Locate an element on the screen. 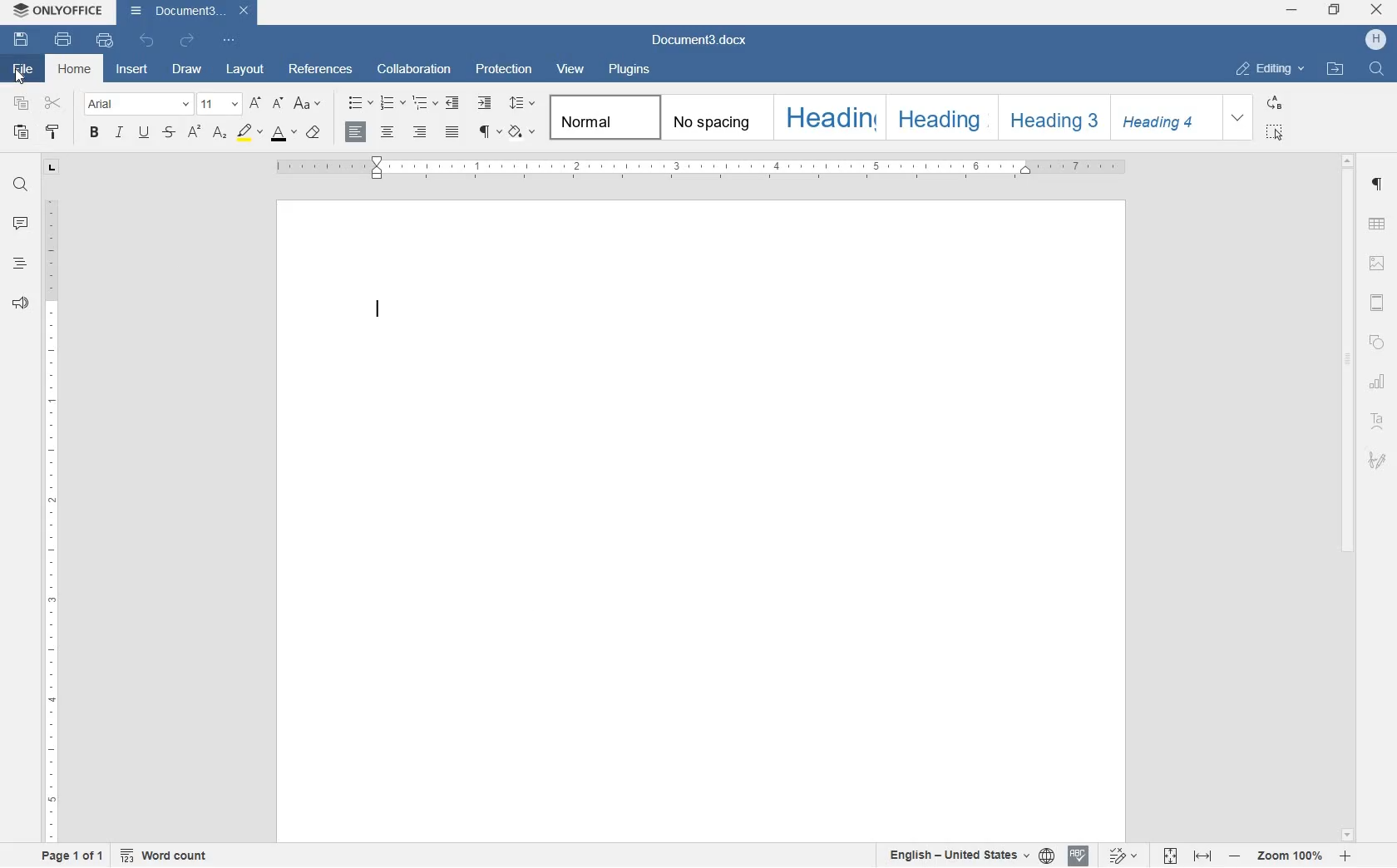  find is located at coordinates (1378, 70).